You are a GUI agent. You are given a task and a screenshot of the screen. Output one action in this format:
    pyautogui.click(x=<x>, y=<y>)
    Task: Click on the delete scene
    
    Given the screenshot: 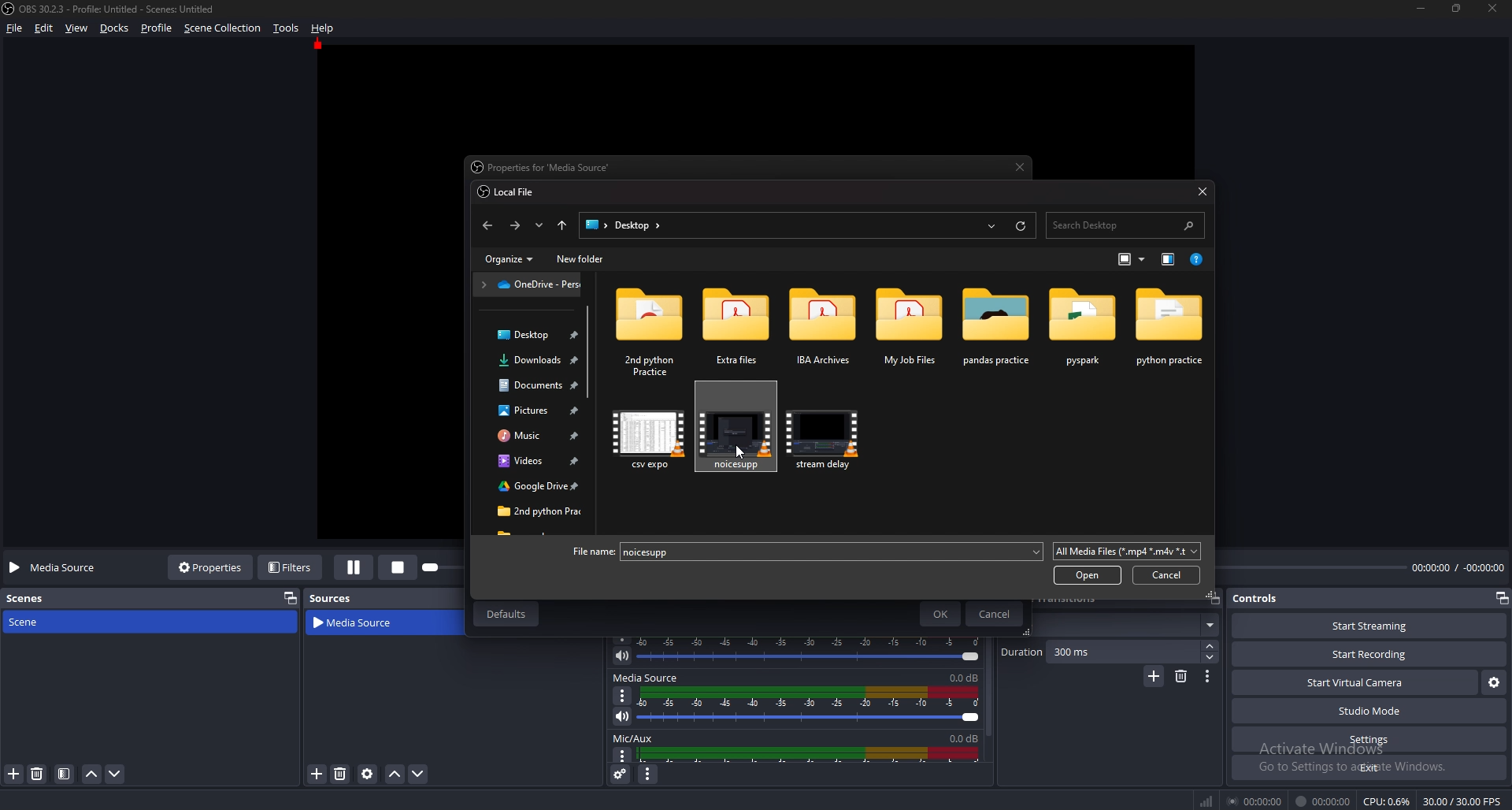 What is the action you would take?
    pyautogui.click(x=38, y=773)
    